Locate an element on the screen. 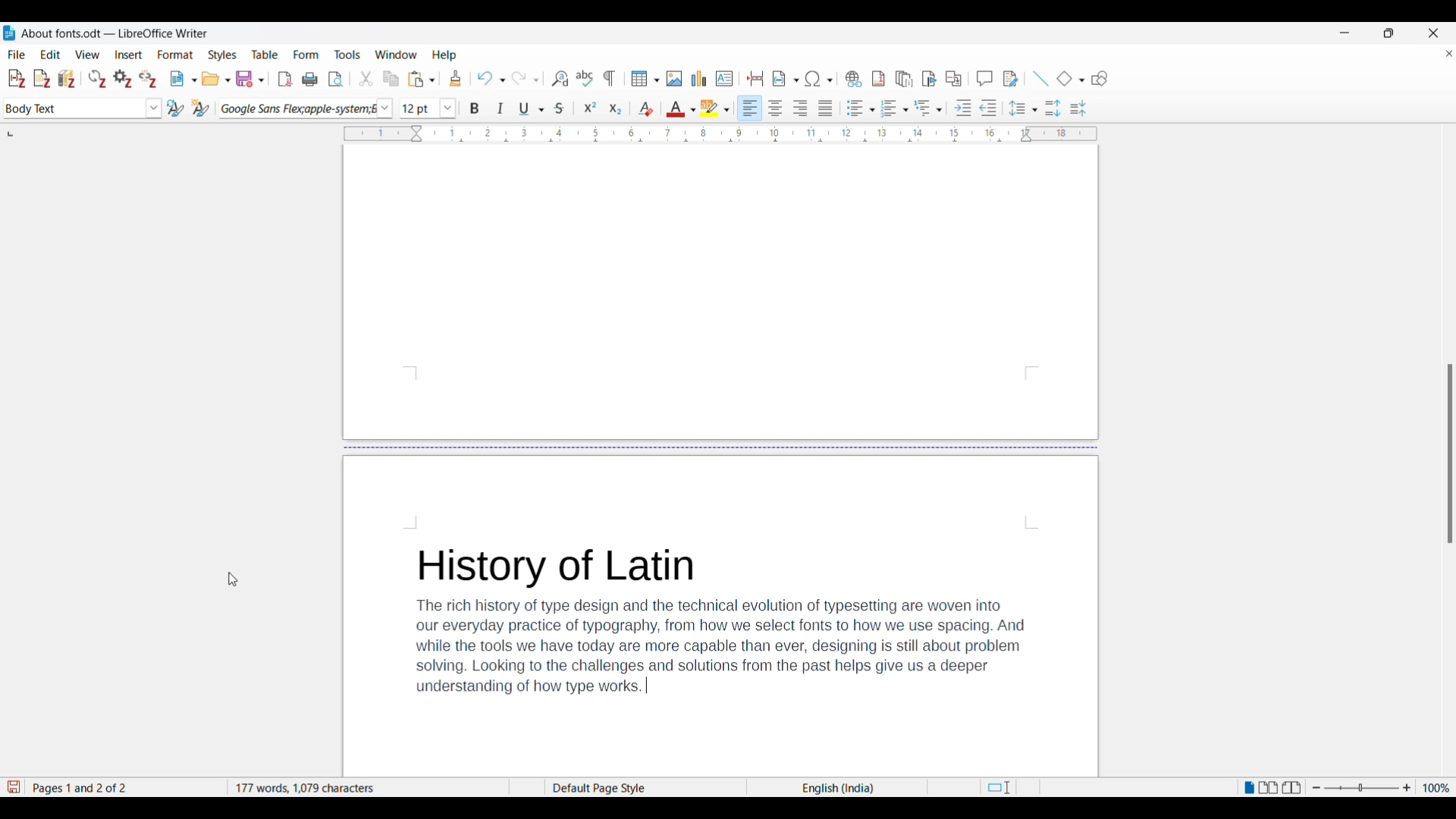 This screenshot has height=819, width=1456. Align left, current selection highlighted is located at coordinates (750, 108).